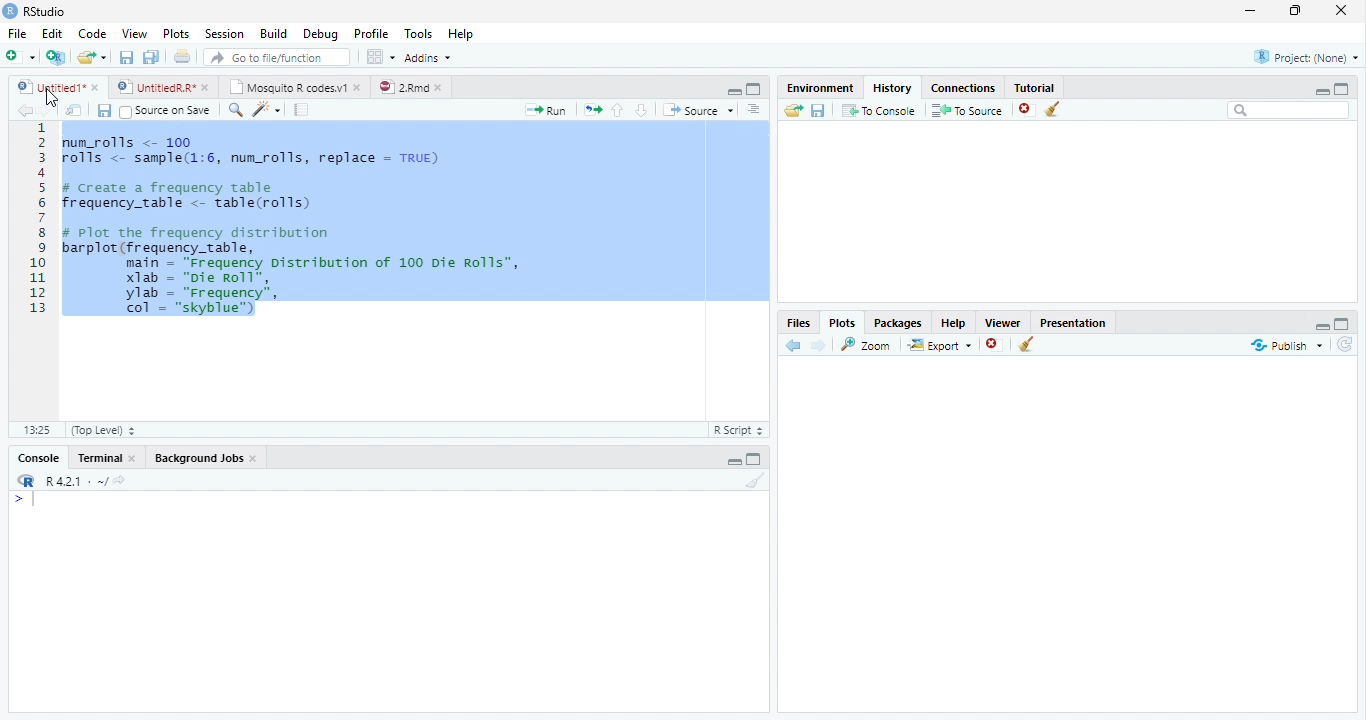 This screenshot has height=720, width=1366. What do you see at coordinates (321, 33) in the screenshot?
I see `Debug` at bounding box center [321, 33].